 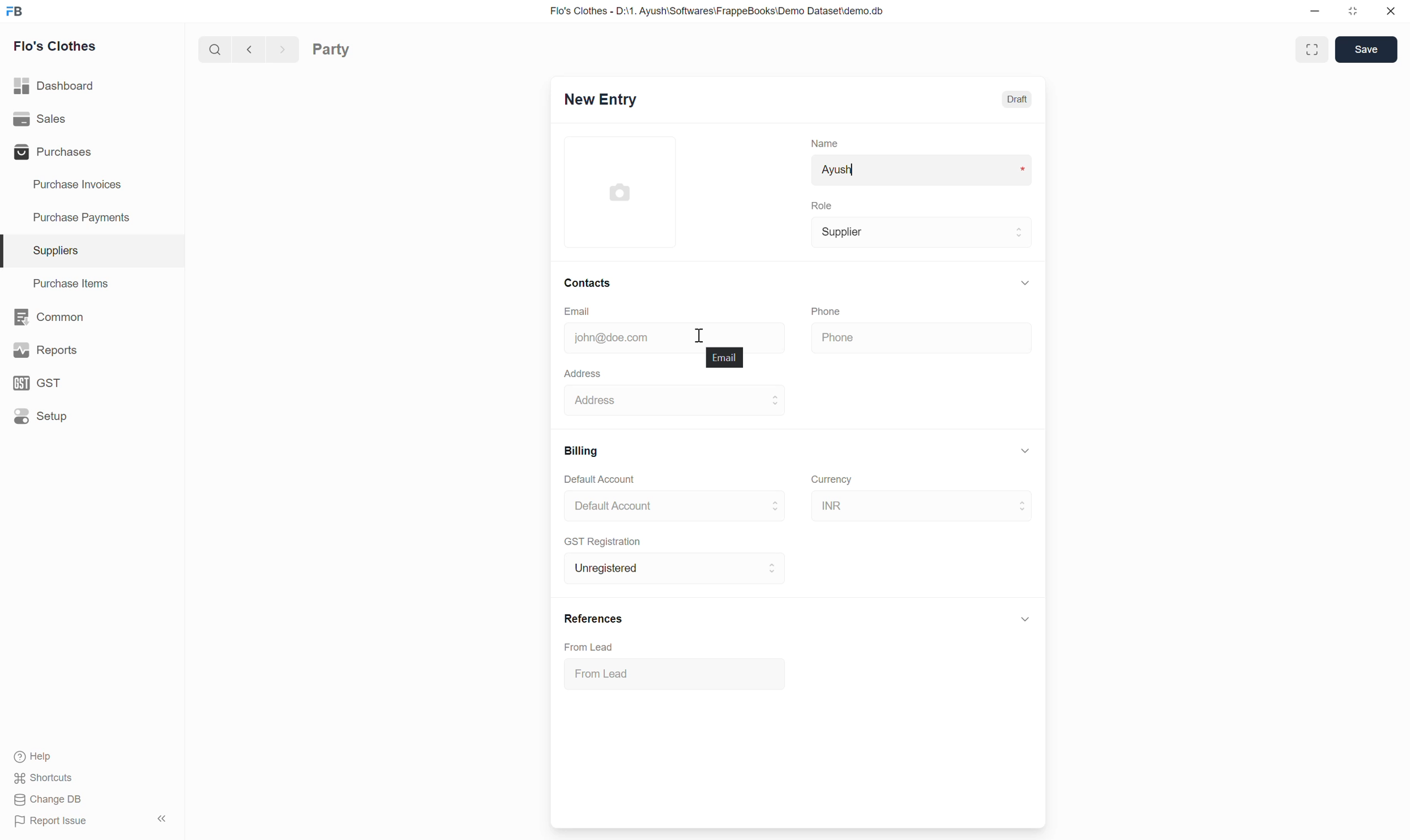 I want to click on Purchase Payments, so click(x=92, y=218).